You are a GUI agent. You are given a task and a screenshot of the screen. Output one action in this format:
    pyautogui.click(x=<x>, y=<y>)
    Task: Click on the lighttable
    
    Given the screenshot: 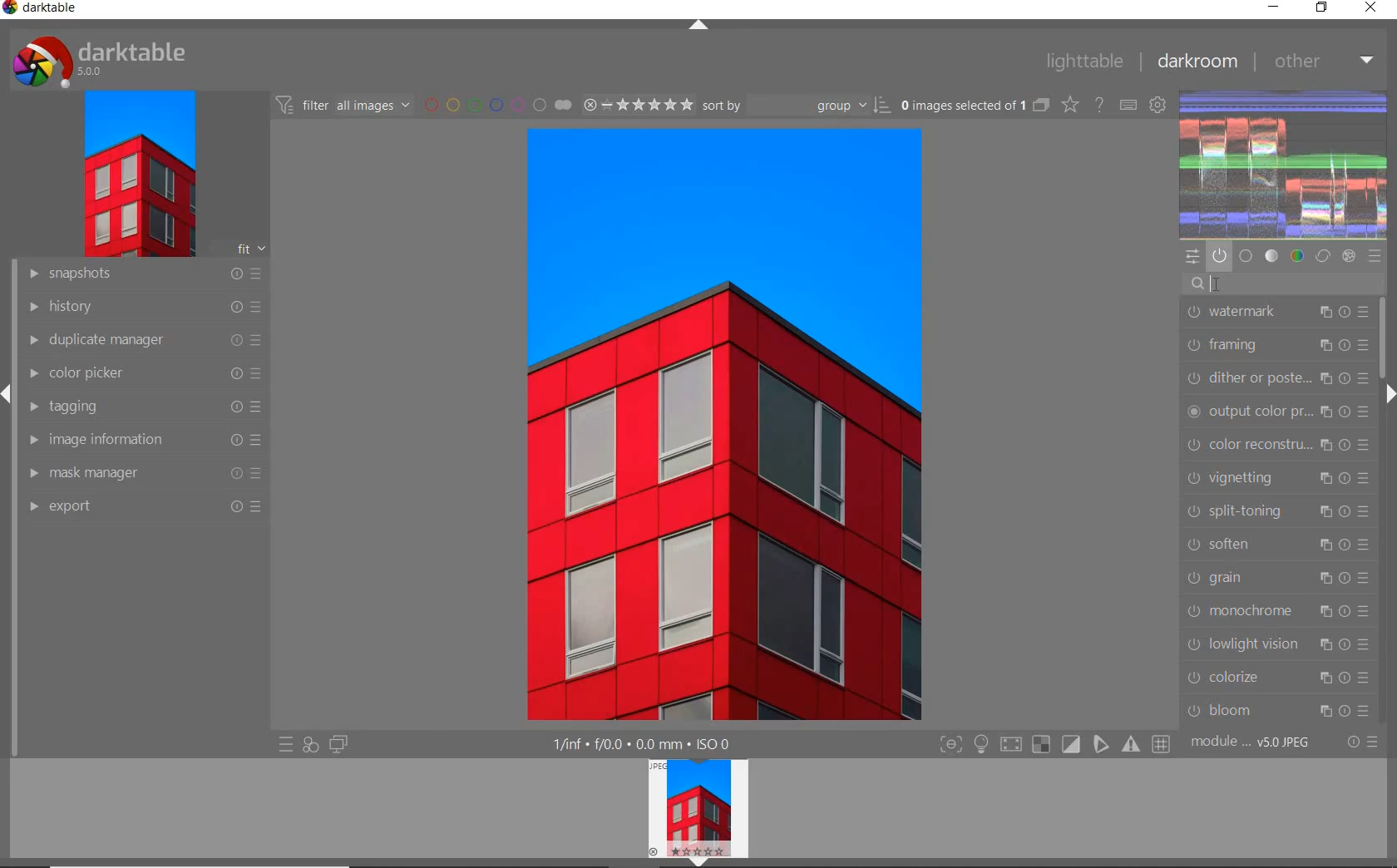 What is the action you would take?
    pyautogui.click(x=1083, y=62)
    